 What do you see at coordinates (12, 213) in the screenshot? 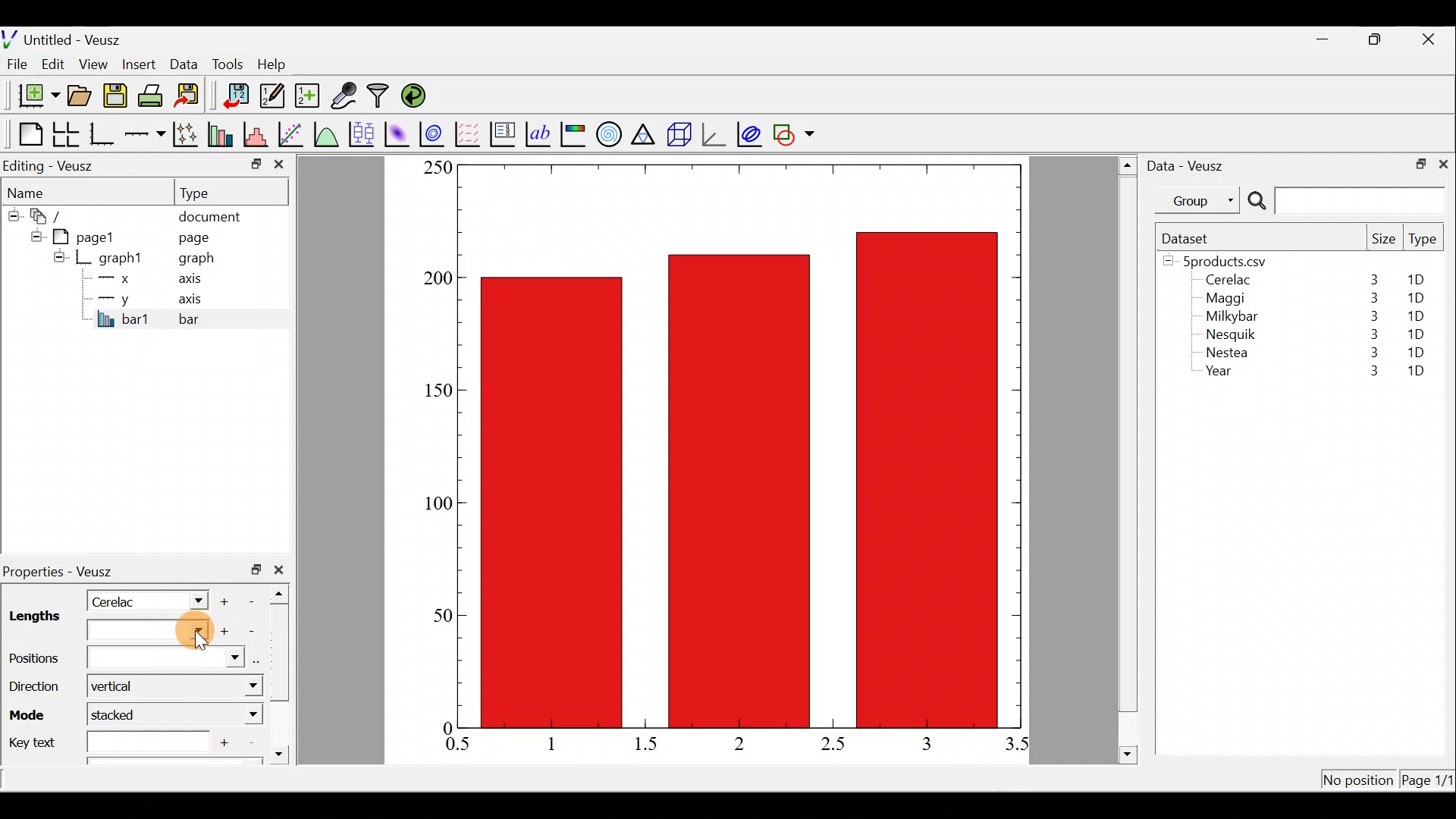
I see `hide` at bounding box center [12, 213].